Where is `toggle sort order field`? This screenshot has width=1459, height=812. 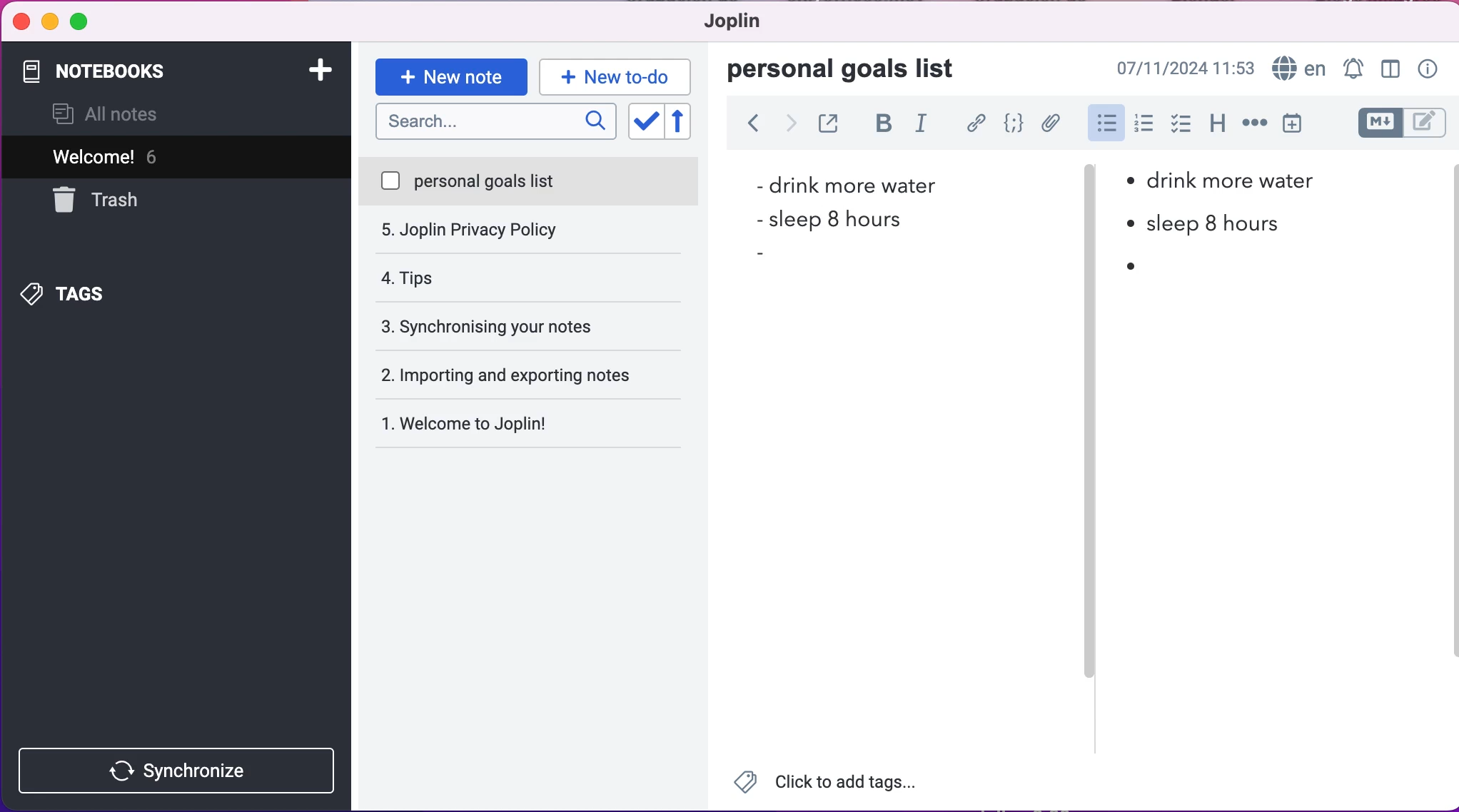
toggle sort order field is located at coordinates (644, 122).